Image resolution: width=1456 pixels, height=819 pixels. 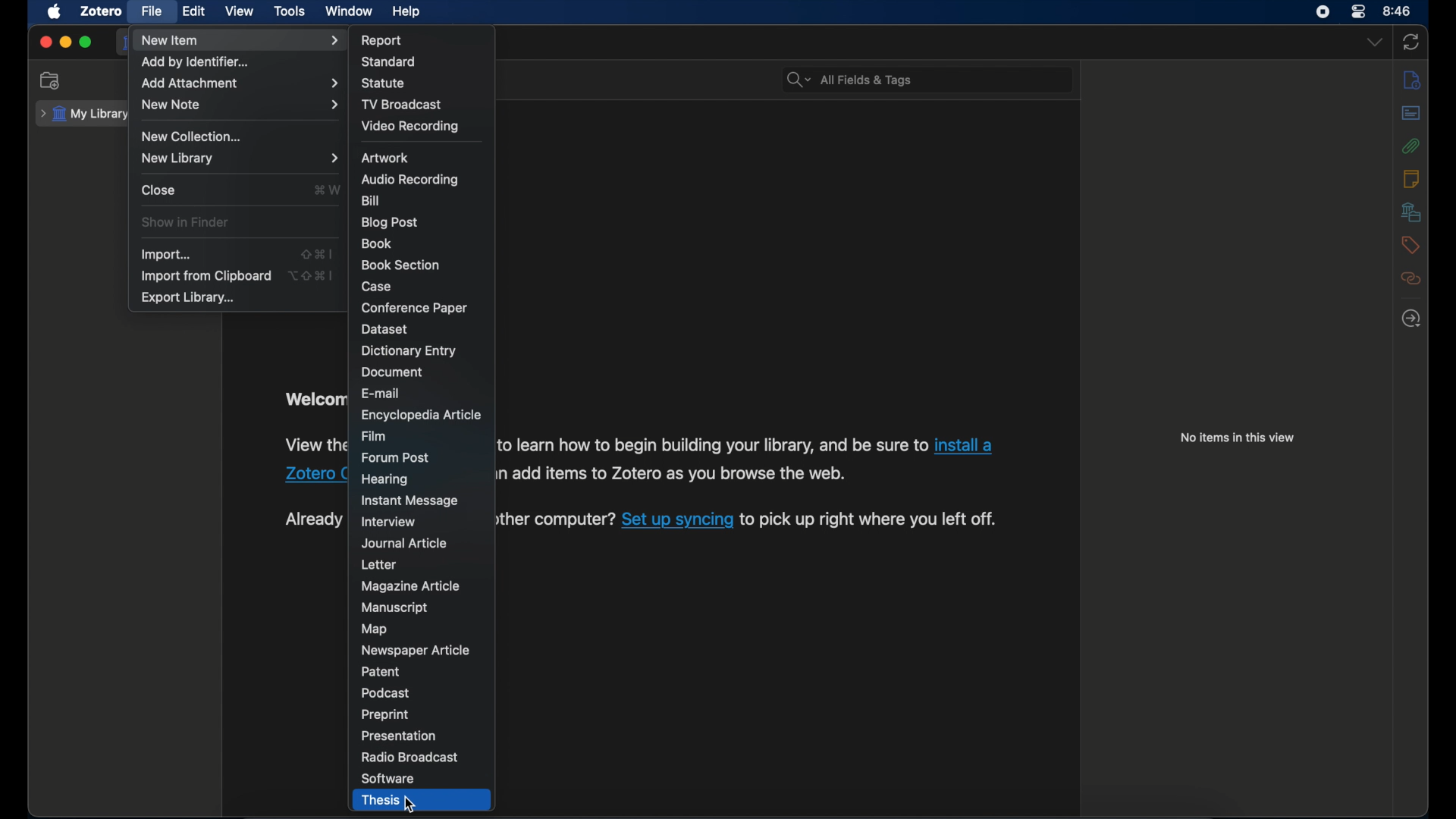 What do you see at coordinates (199, 62) in the screenshot?
I see `add by identifier` at bounding box center [199, 62].